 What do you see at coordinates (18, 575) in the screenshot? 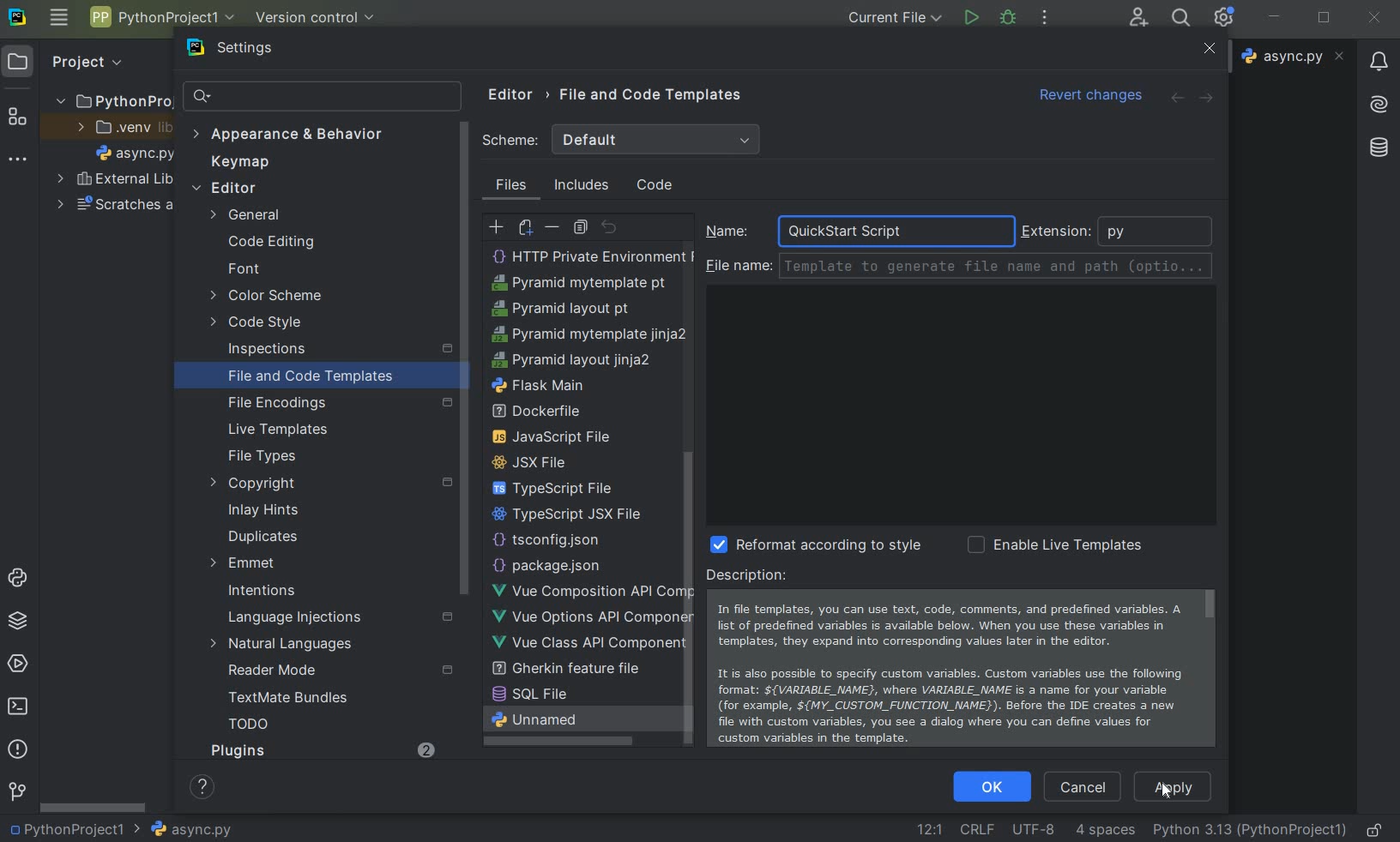
I see `python console` at bounding box center [18, 575].